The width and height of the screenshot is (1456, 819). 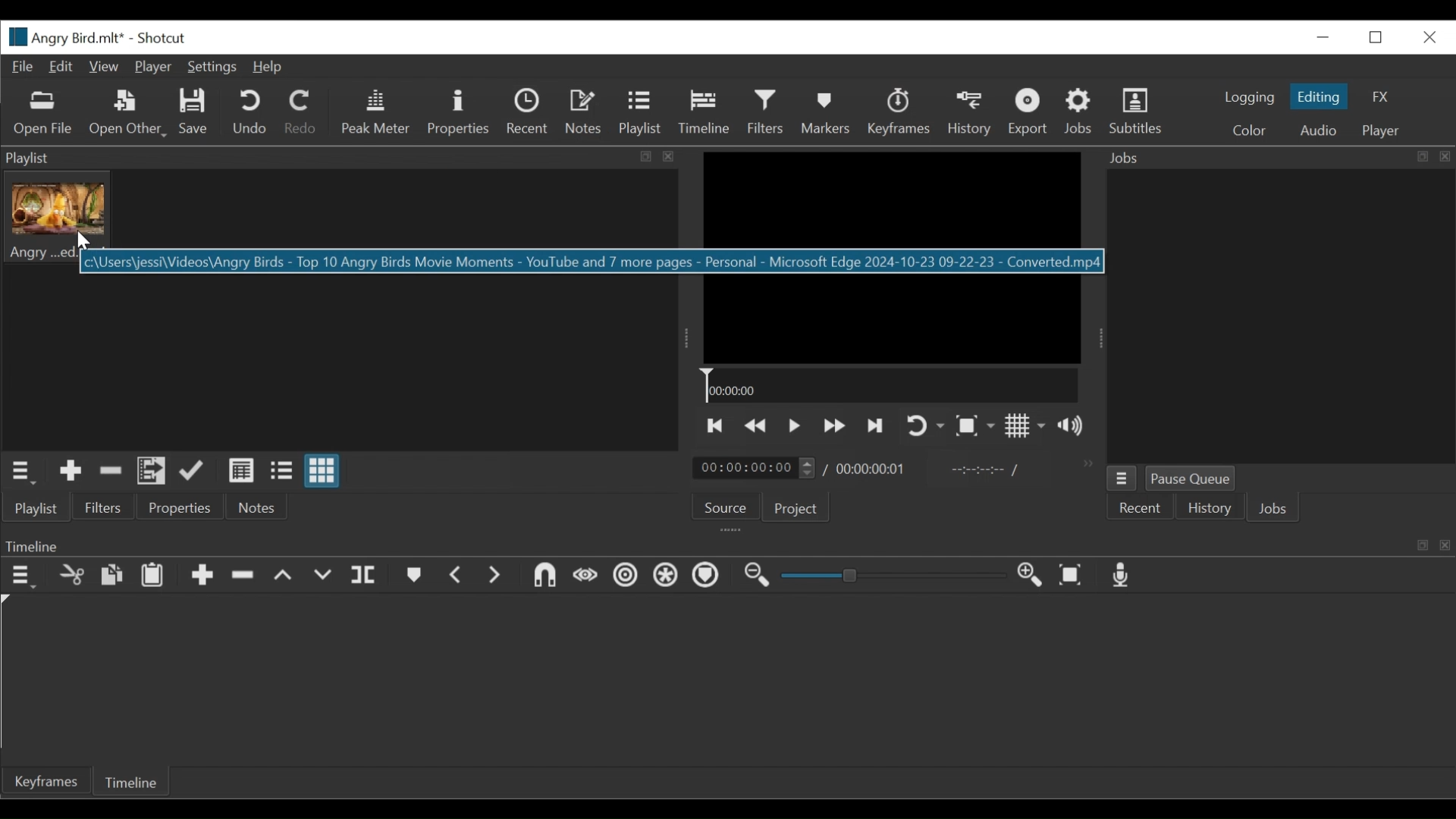 I want to click on Notes, so click(x=584, y=111).